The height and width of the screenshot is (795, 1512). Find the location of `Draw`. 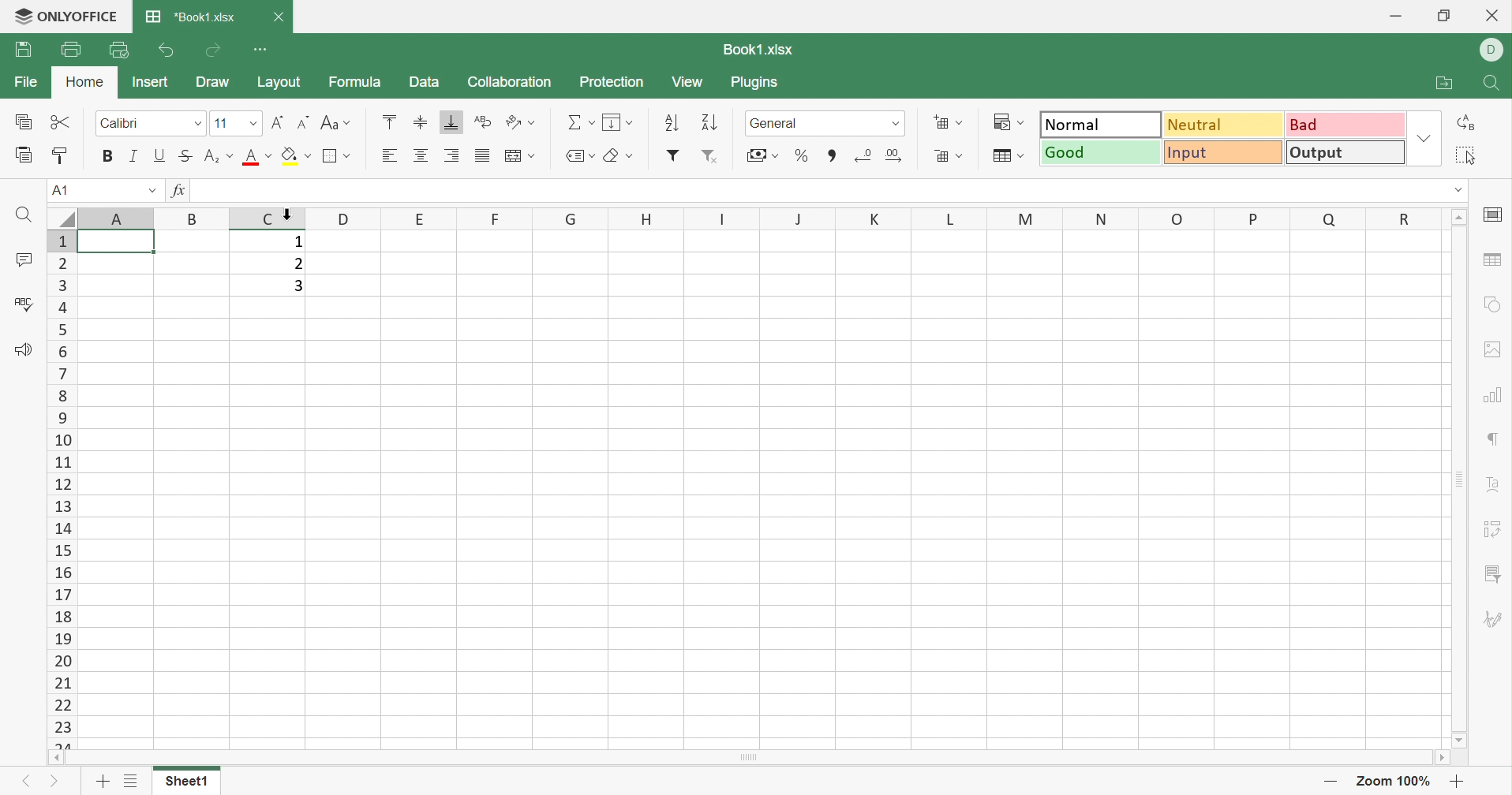

Draw is located at coordinates (215, 83).